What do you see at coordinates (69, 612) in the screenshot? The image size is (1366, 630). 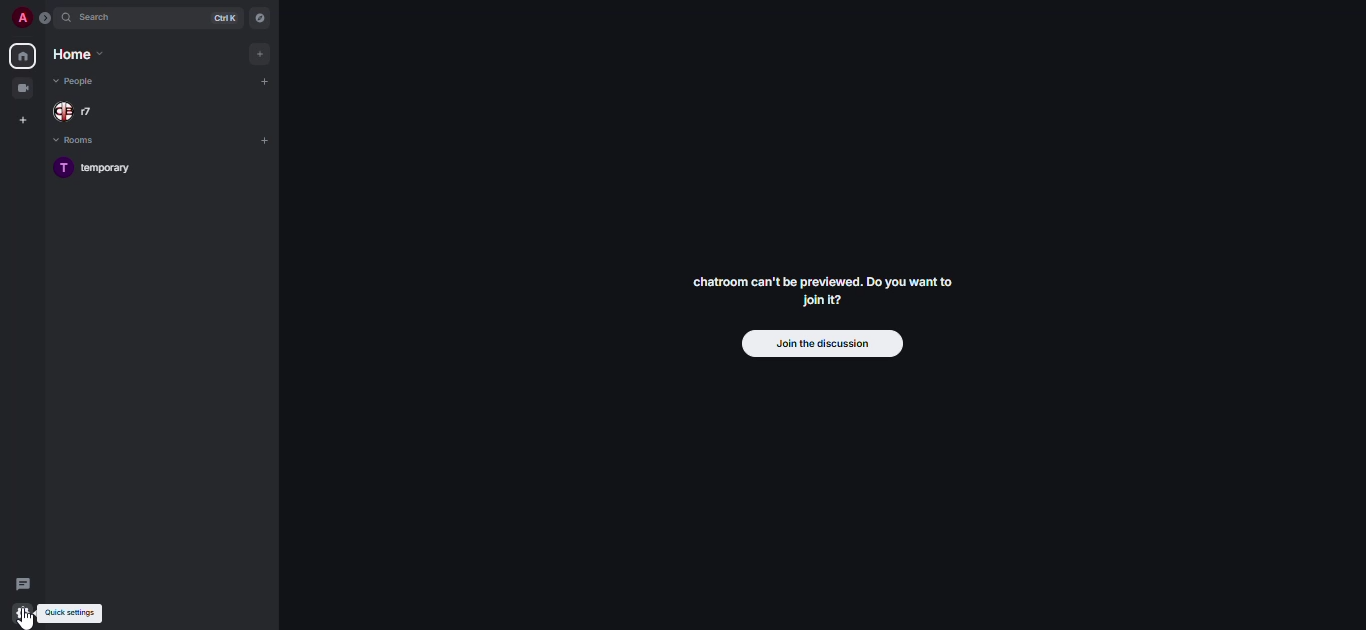 I see `quick settings` at bounding box center [69, 612].